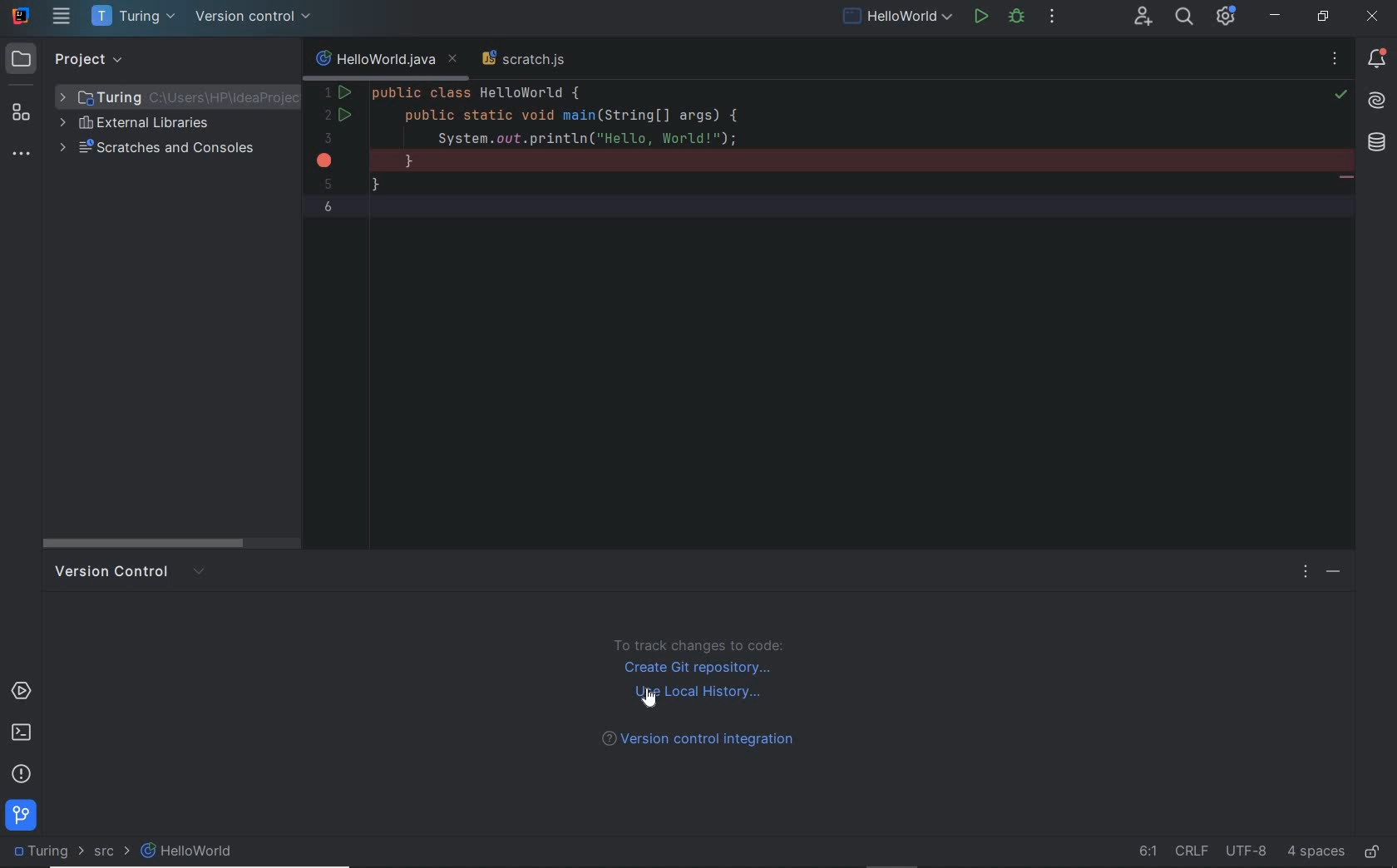  Describe the element at coordinates (19, 690) in the screenshot. I see `services` at that location.